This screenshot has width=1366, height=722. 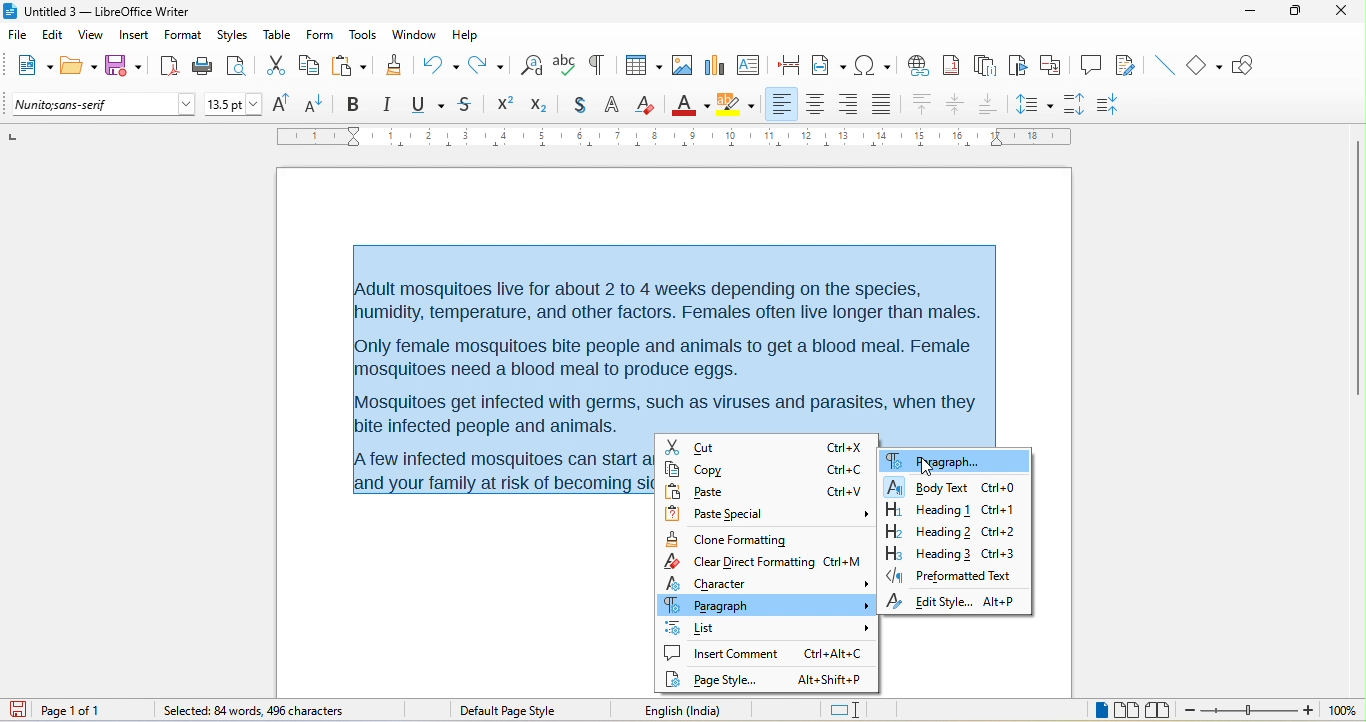 What do you see at coordinates (440, 62) in the screenshot?
I see `undo` at bounding box center [440, 62].